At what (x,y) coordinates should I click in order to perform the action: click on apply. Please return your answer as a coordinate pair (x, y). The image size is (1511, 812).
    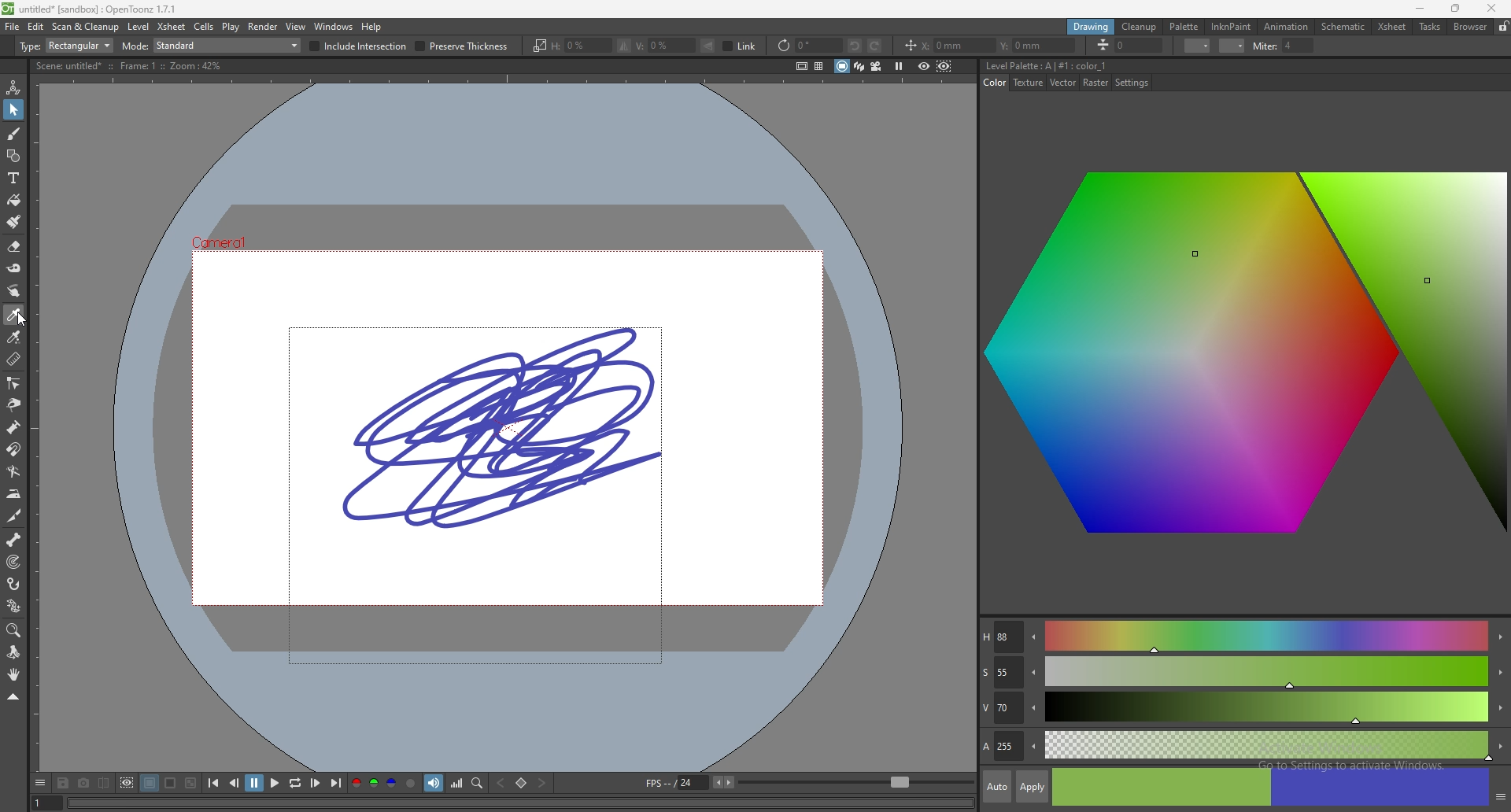
    Looking at the image, I should click on (1033, 786).